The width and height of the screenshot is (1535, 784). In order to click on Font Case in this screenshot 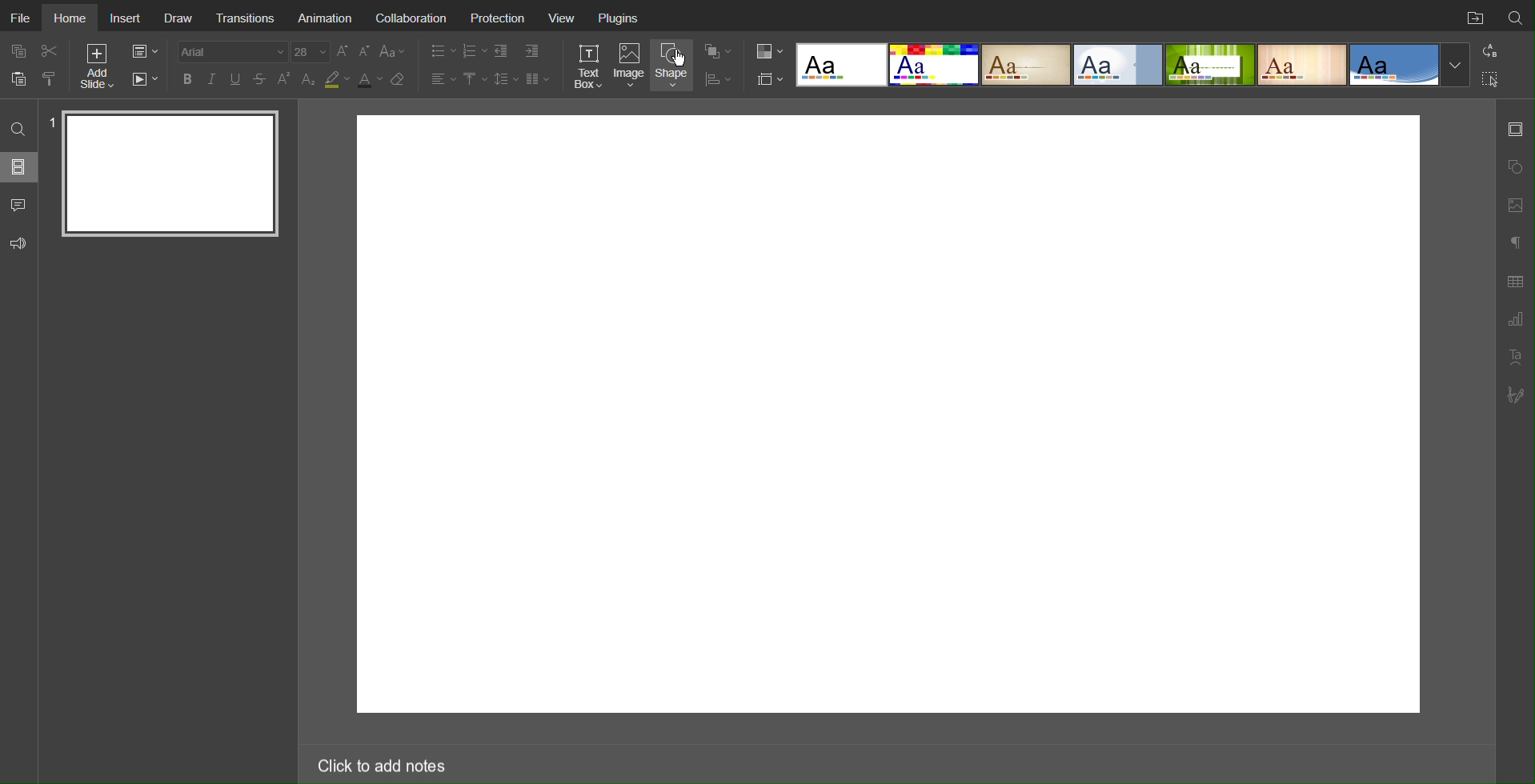, I will do `click(394, 51)`.